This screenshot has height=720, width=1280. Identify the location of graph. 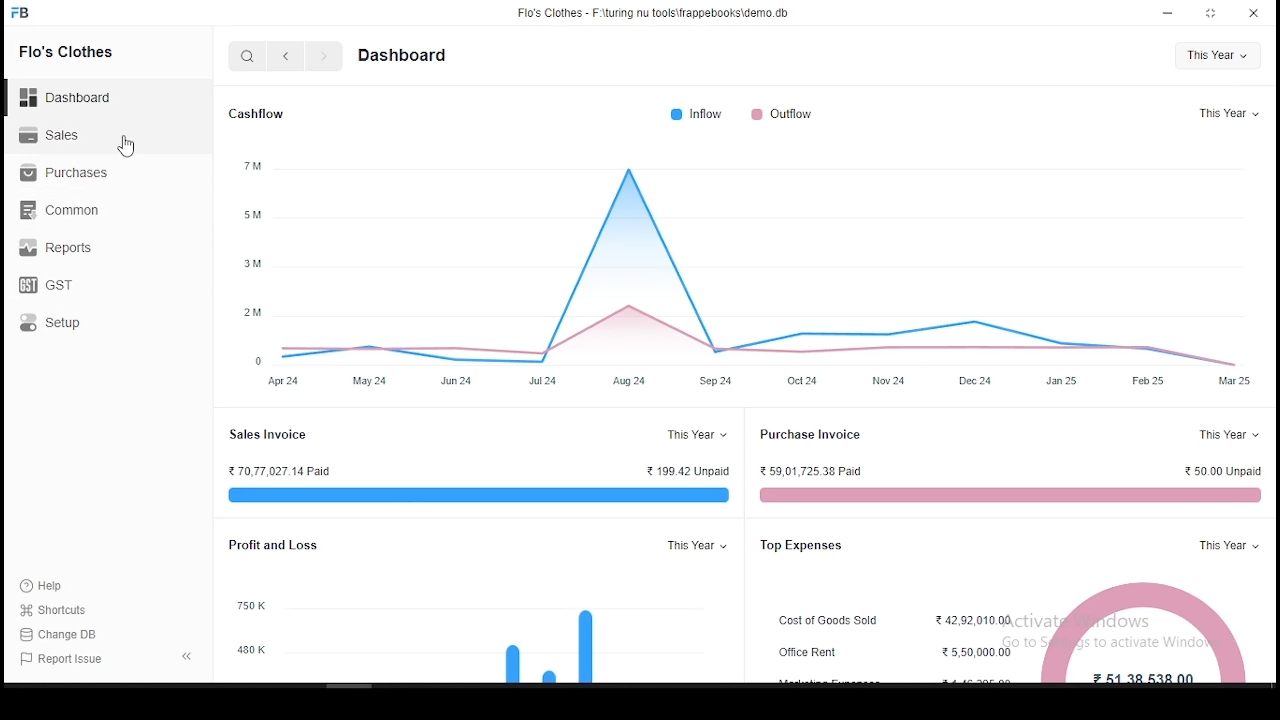
(549, 645).